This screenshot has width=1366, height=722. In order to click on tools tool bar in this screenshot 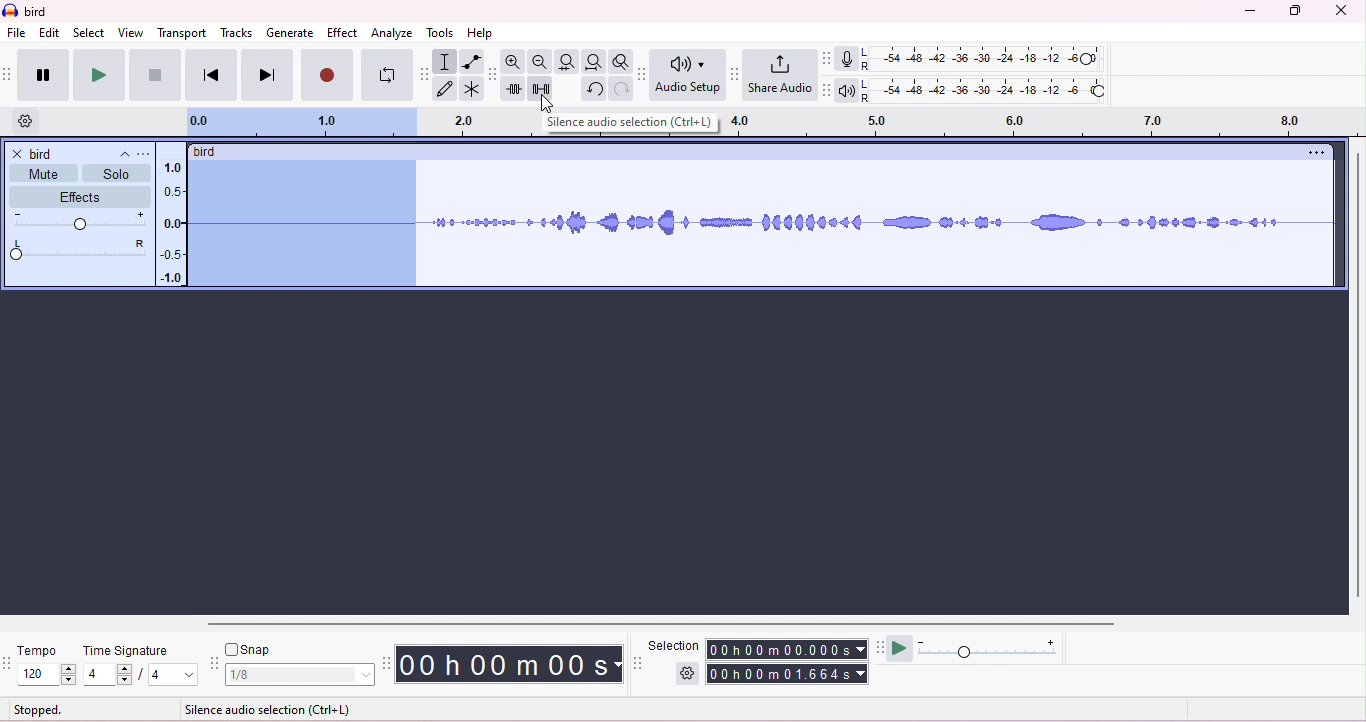, I will do `click(423, 73)`.